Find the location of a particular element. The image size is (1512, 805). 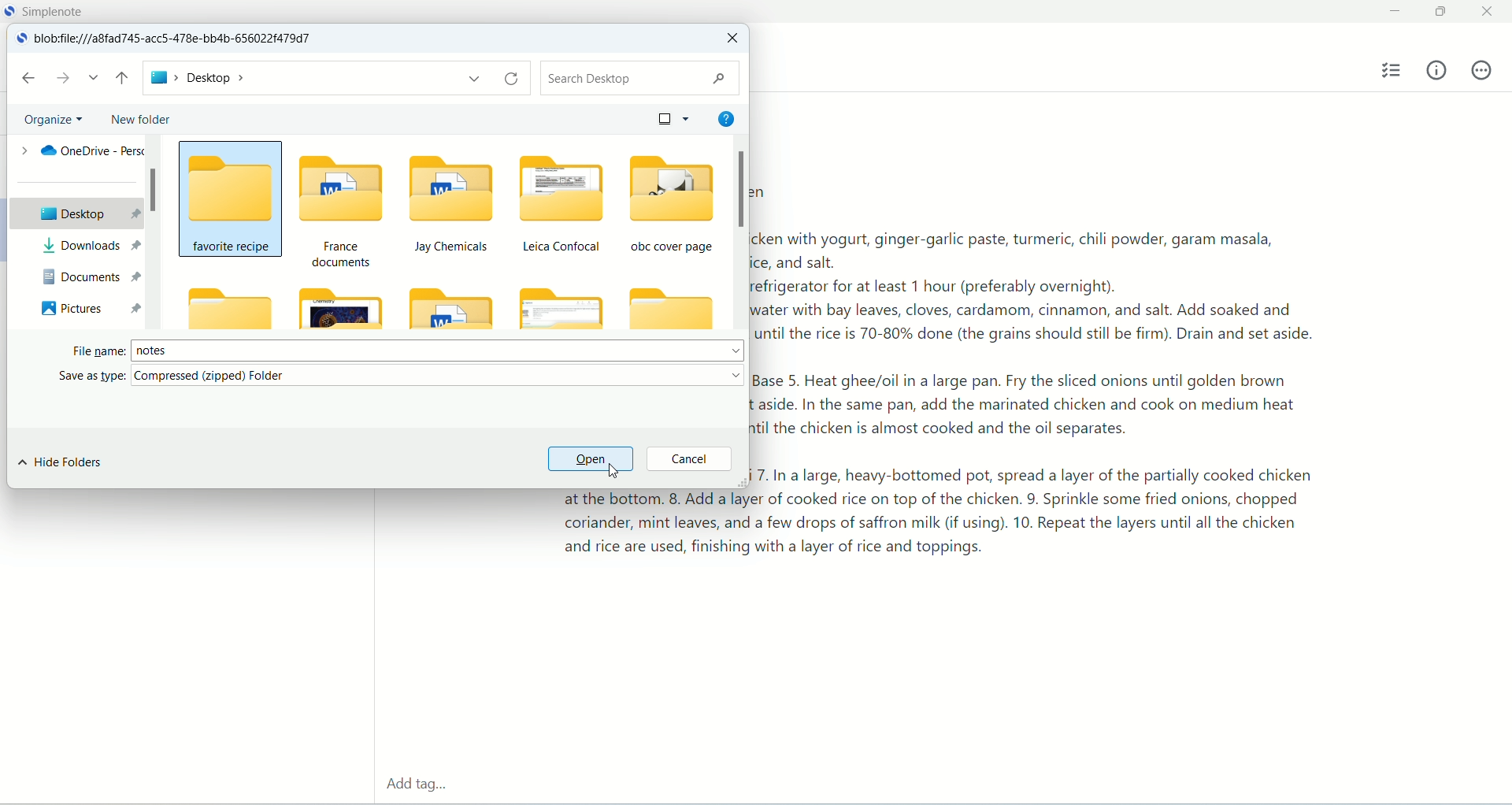

documents is located at coordinates (88, 276).